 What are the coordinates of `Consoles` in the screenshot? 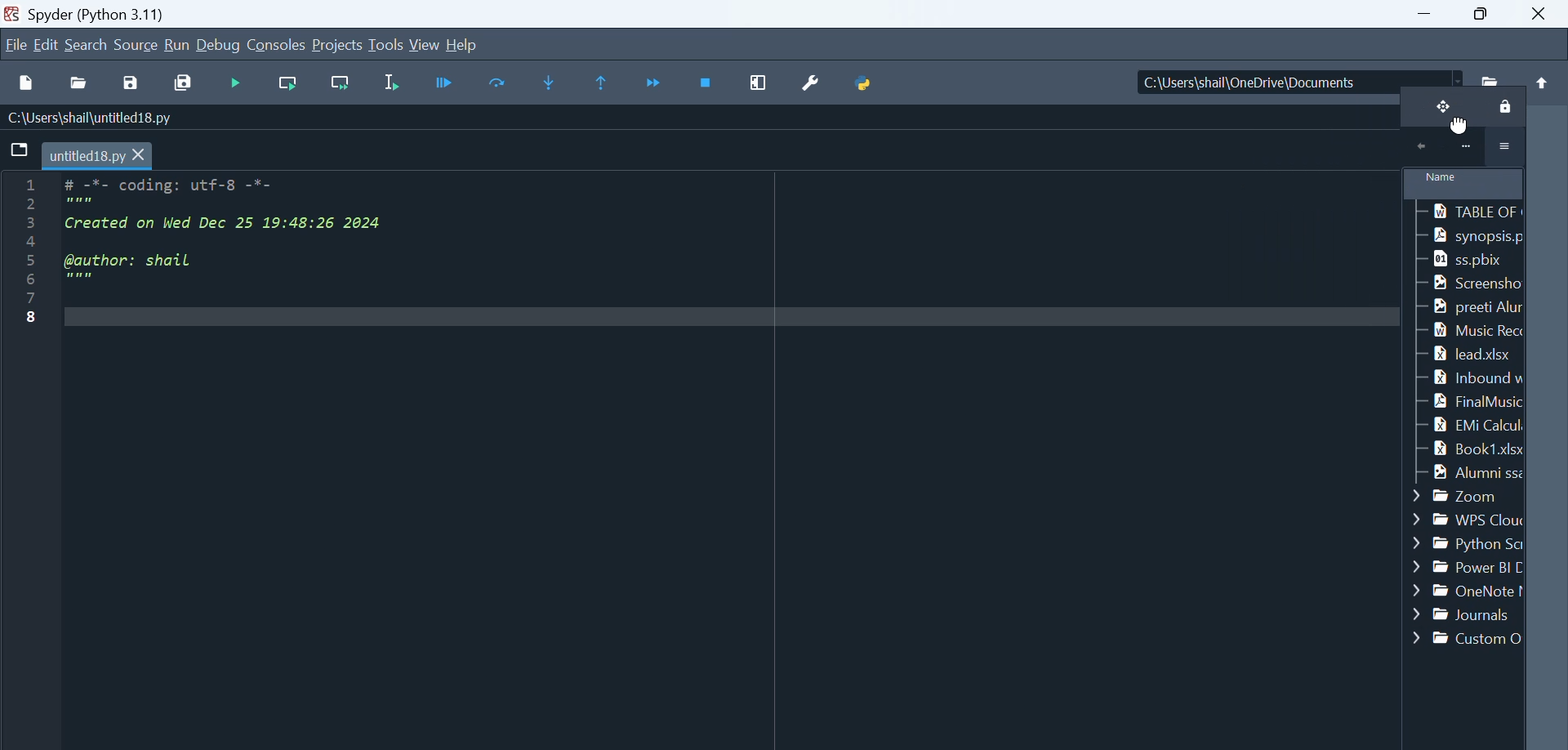 It's located at (278, 44).